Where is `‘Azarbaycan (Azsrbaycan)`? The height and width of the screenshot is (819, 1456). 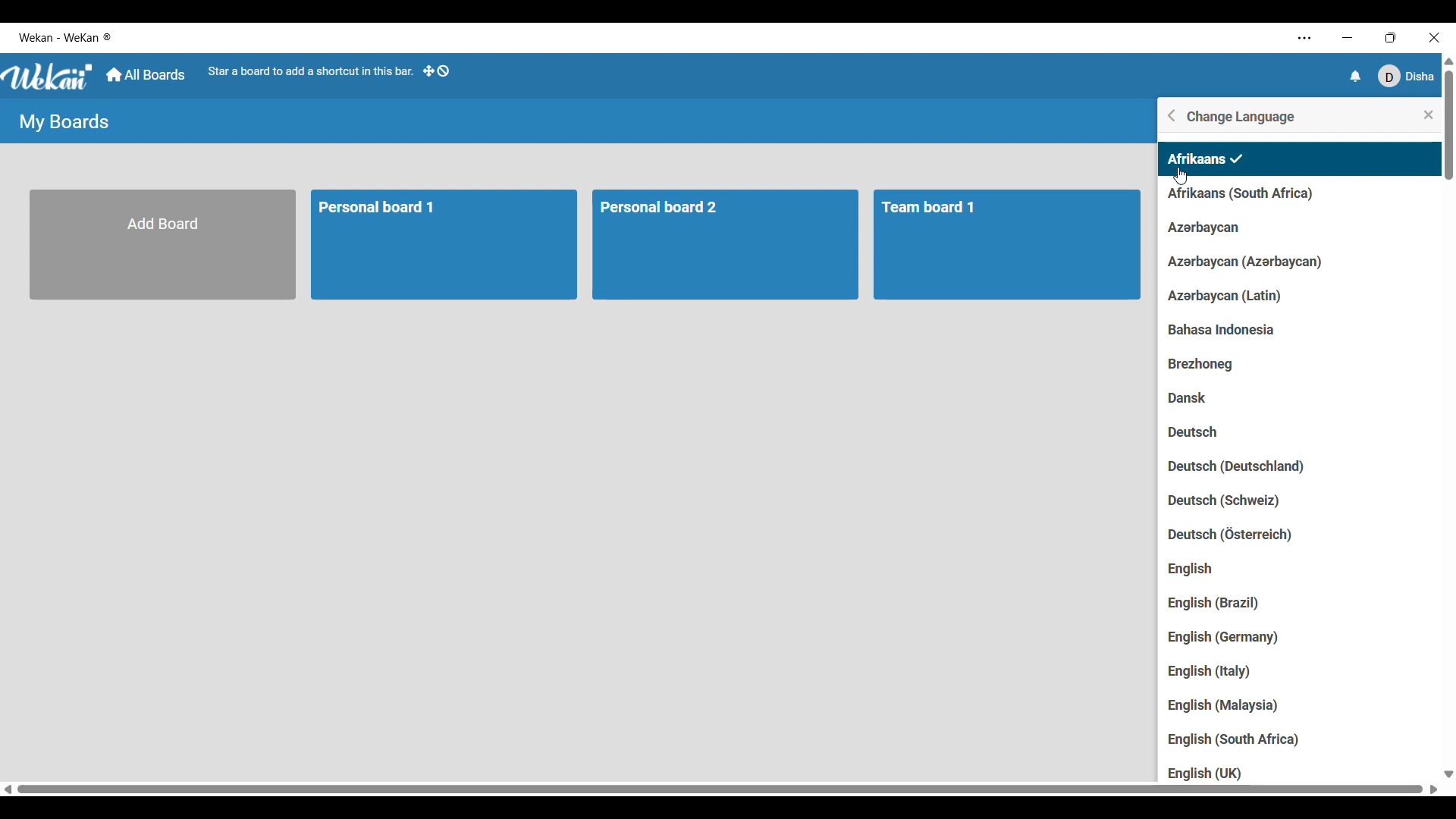
‘Azarbaycan (Azsrbaycan) is located at coordinates (1246, 260).